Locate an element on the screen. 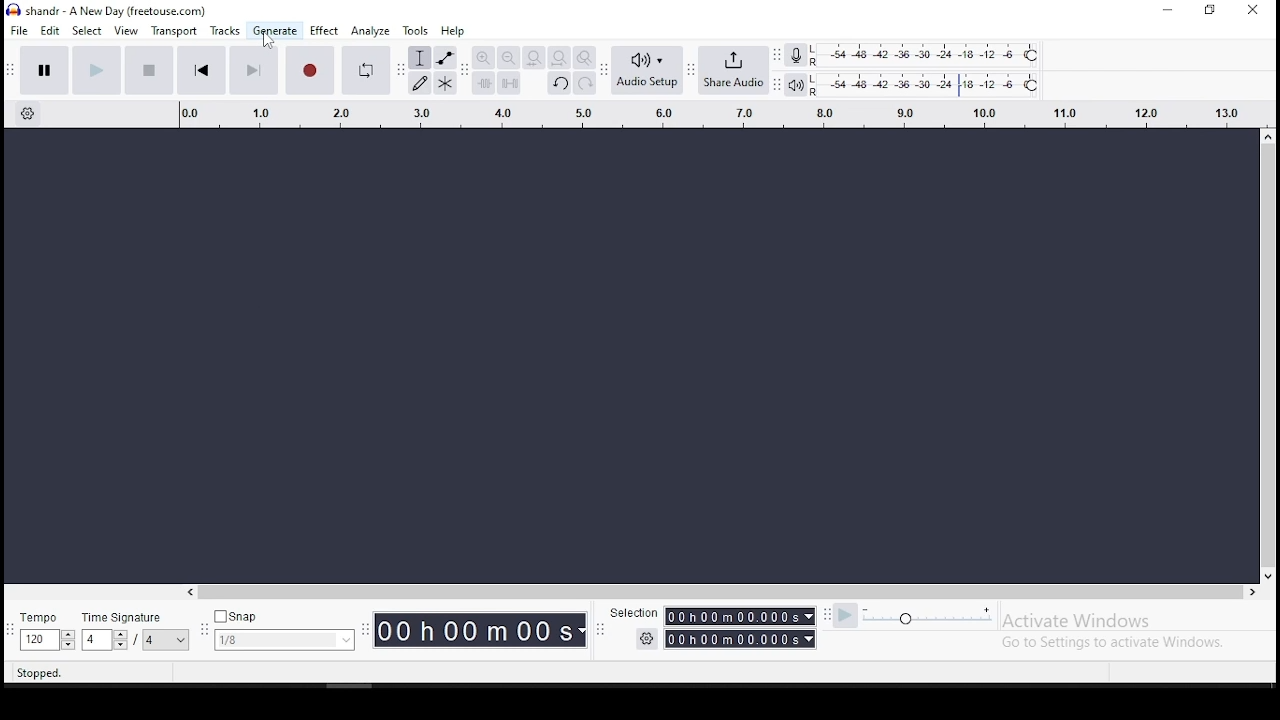 The image size is (1280, 720). time signature is located at coordinates (46, 629).